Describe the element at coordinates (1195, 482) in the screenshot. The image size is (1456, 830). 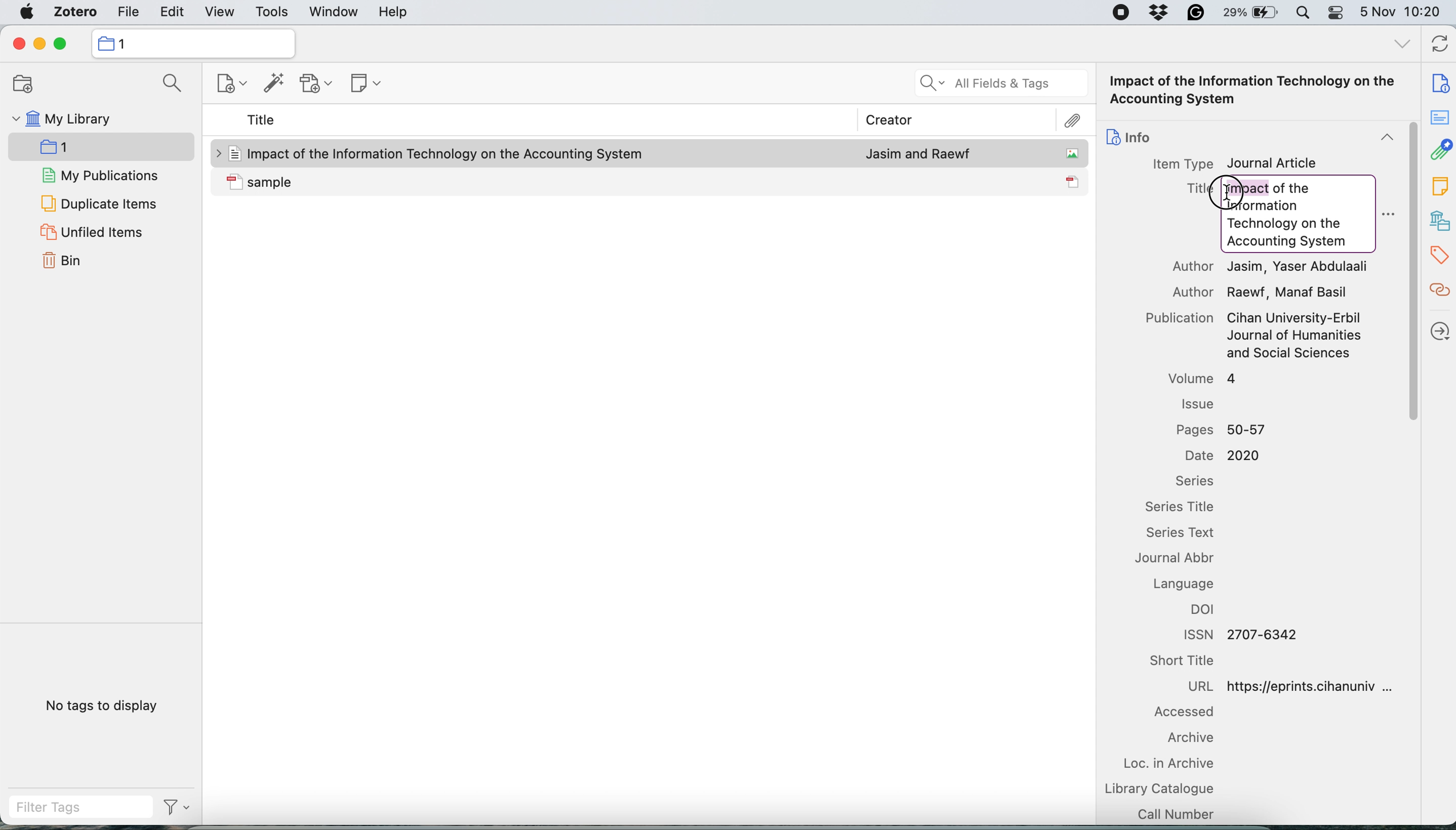
I see `series` at that location.